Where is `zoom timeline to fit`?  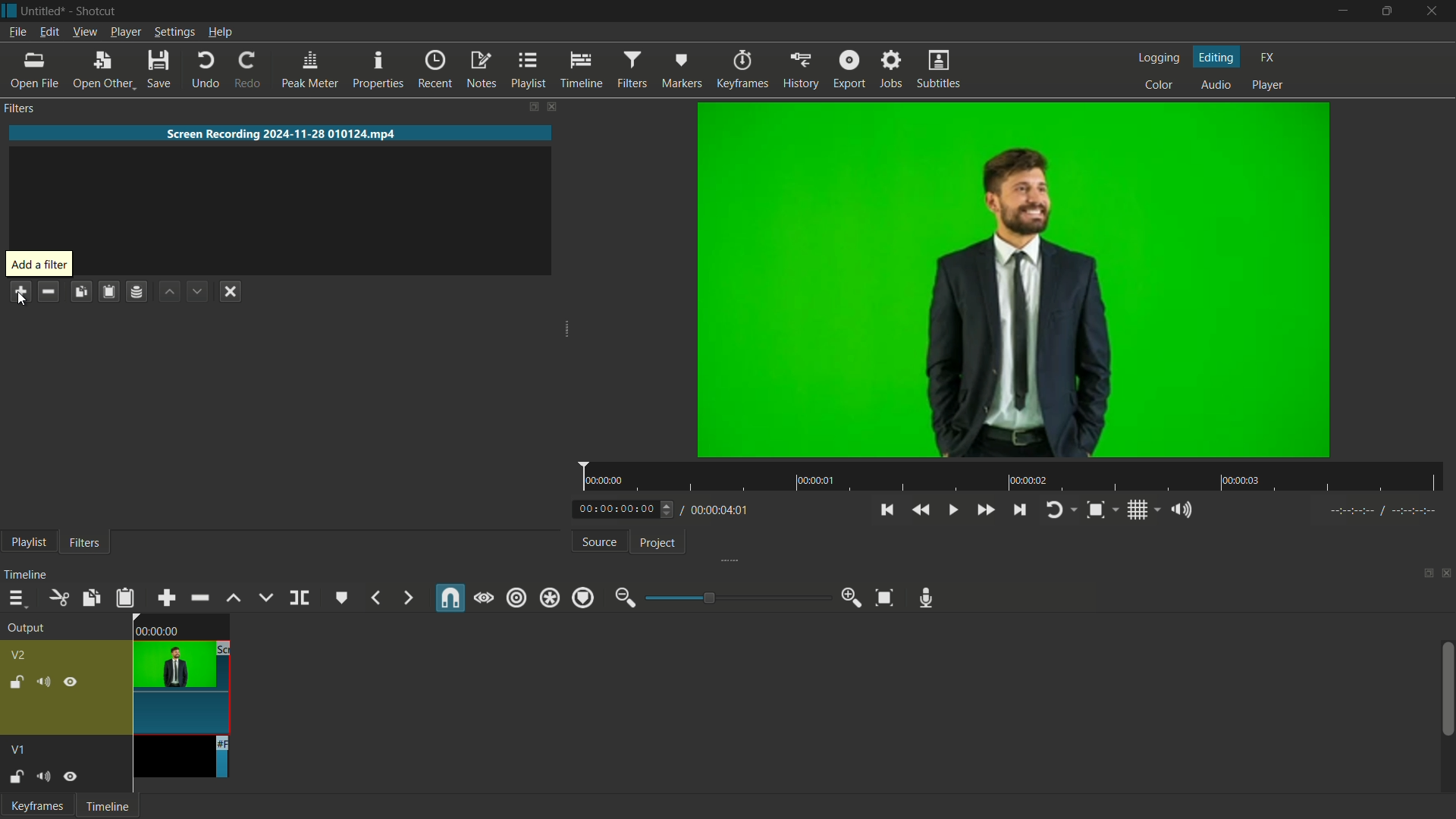 zoom timeline to fit is located at coordinates (883, 598).